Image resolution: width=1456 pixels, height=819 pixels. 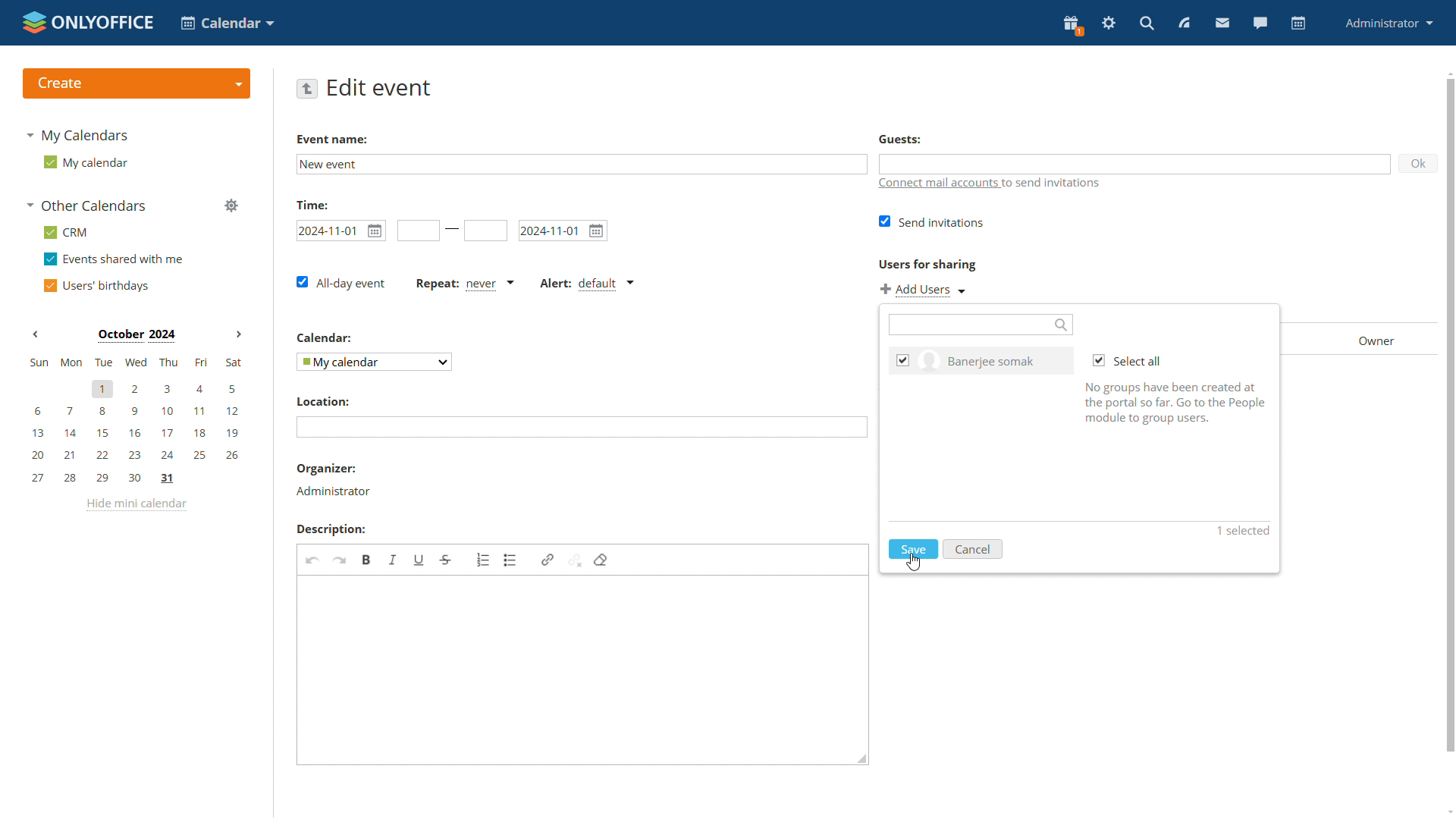 What do you see at coordinates (1262, 24) in the screenshot?
I see `talk` at bounding box center [1262, 24].